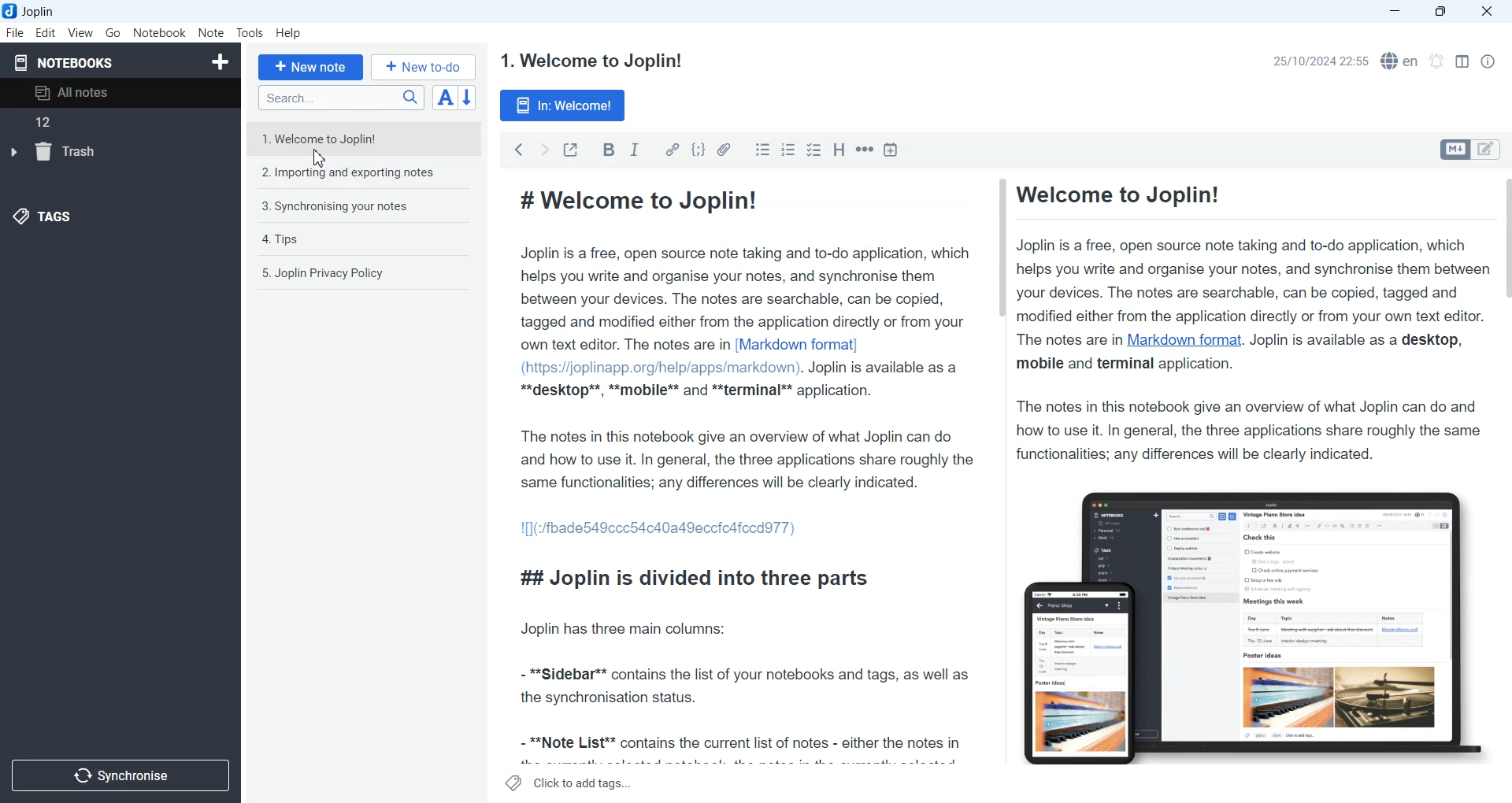 The image size is (1512, 803). Describe the element at coordinates (250, 33) in the screenshot. I see `Tools` at that location.